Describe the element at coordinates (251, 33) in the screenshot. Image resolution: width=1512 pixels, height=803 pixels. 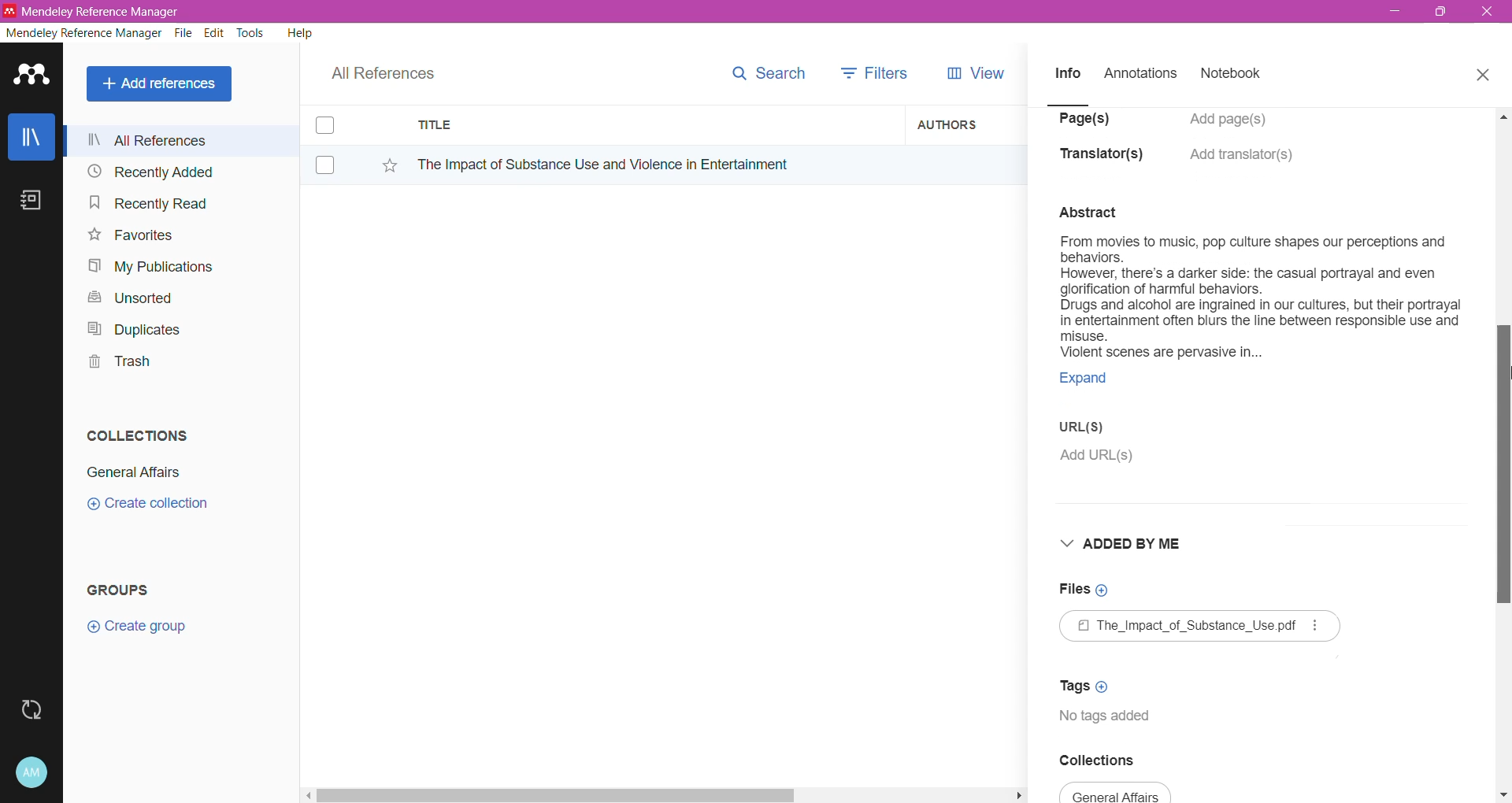
I see `Tools` at that location.